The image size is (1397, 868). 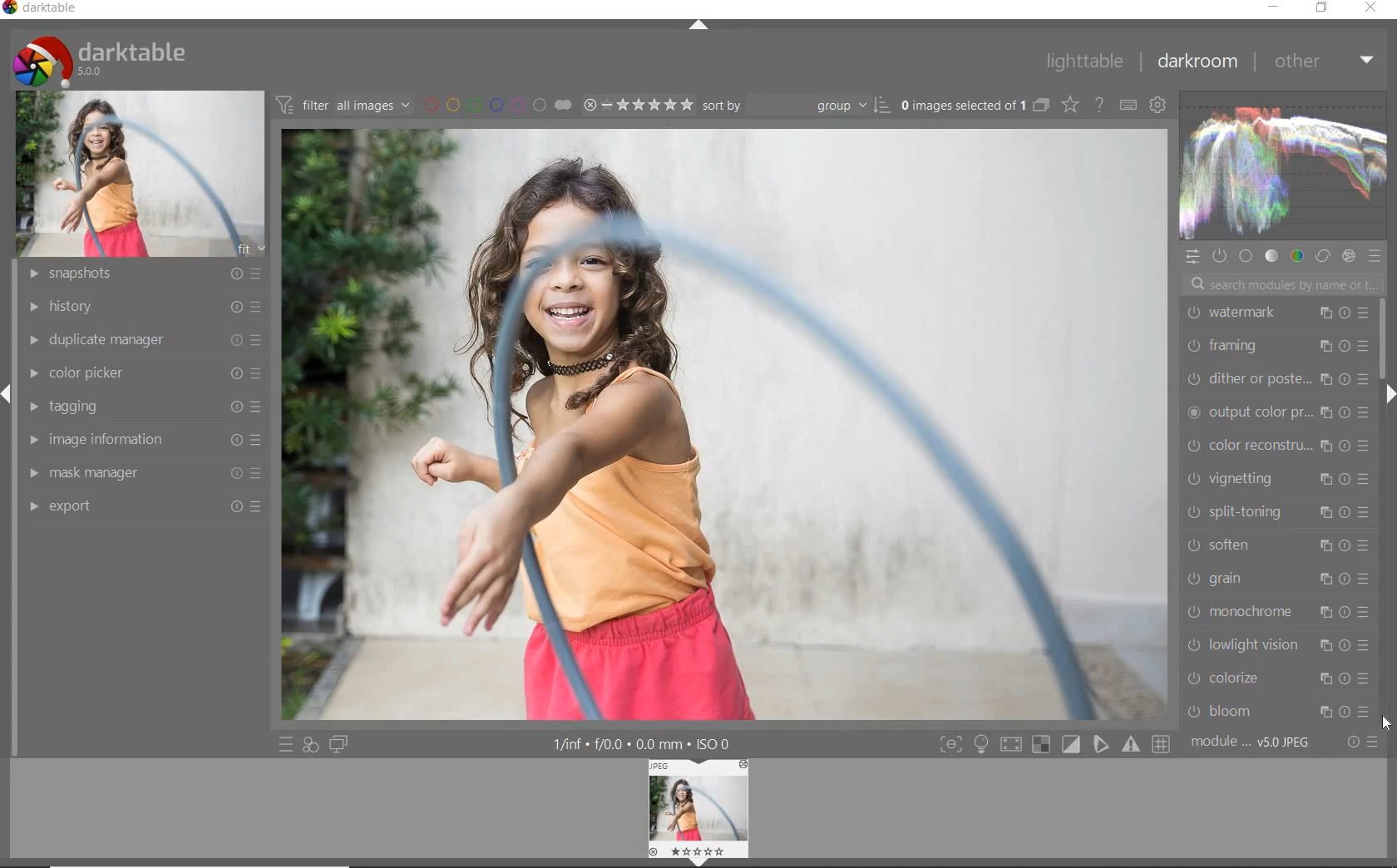 What do you see at coordinates (1247, 258) in the screenshot?
I see `base` at bounding box center [1247, 258].